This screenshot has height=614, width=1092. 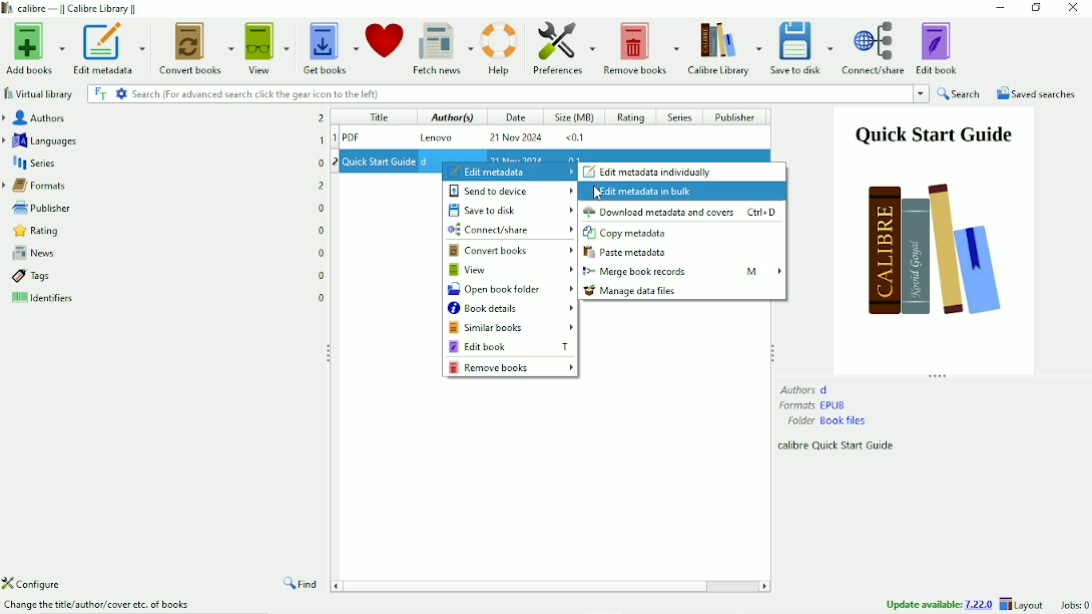 I want to click on Remove books, so click(x=511, y=368).